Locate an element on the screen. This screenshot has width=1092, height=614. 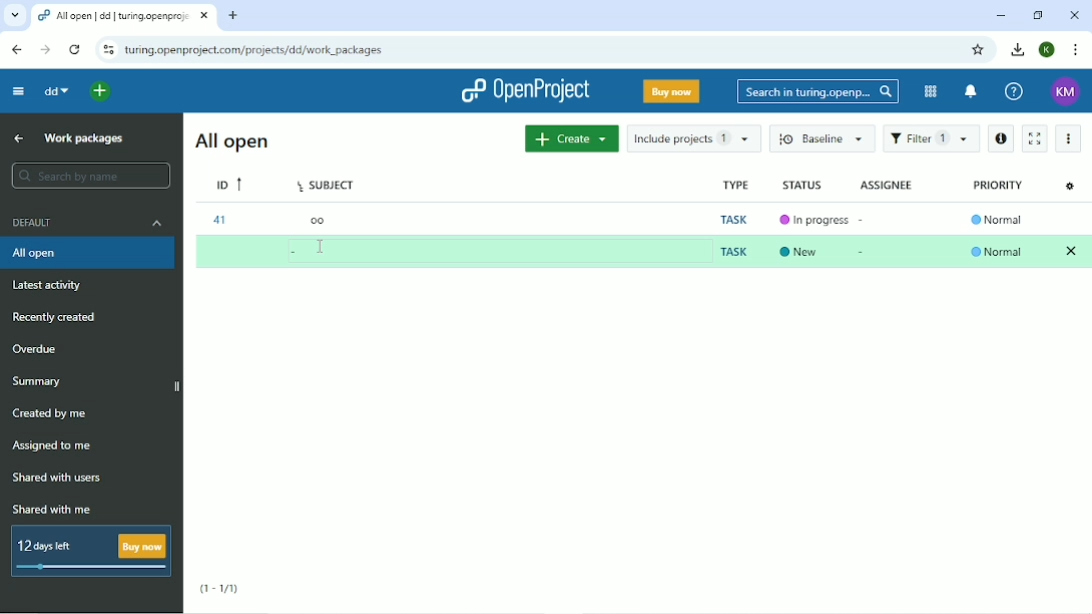
Normal is located at coordinates (997, 219).